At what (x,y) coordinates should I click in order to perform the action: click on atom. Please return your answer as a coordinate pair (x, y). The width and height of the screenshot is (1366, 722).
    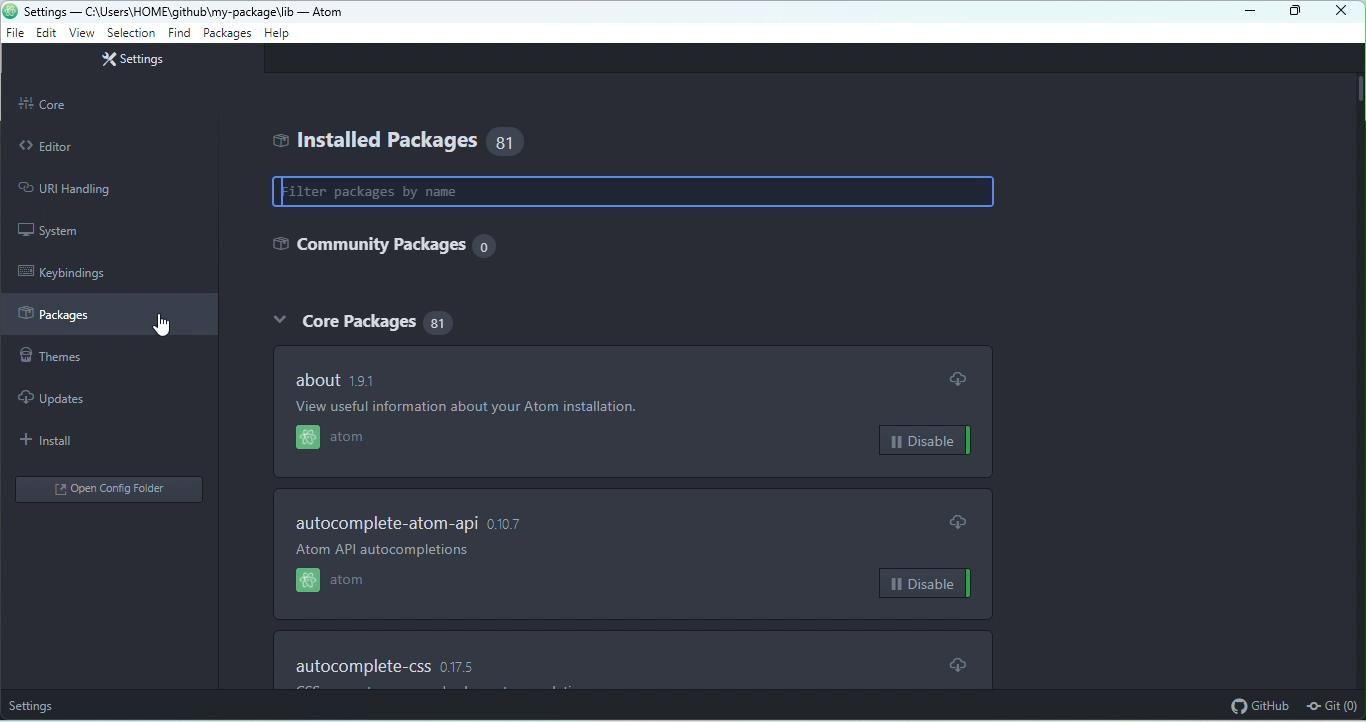
    Looking at the image, I should click on (354, 582).